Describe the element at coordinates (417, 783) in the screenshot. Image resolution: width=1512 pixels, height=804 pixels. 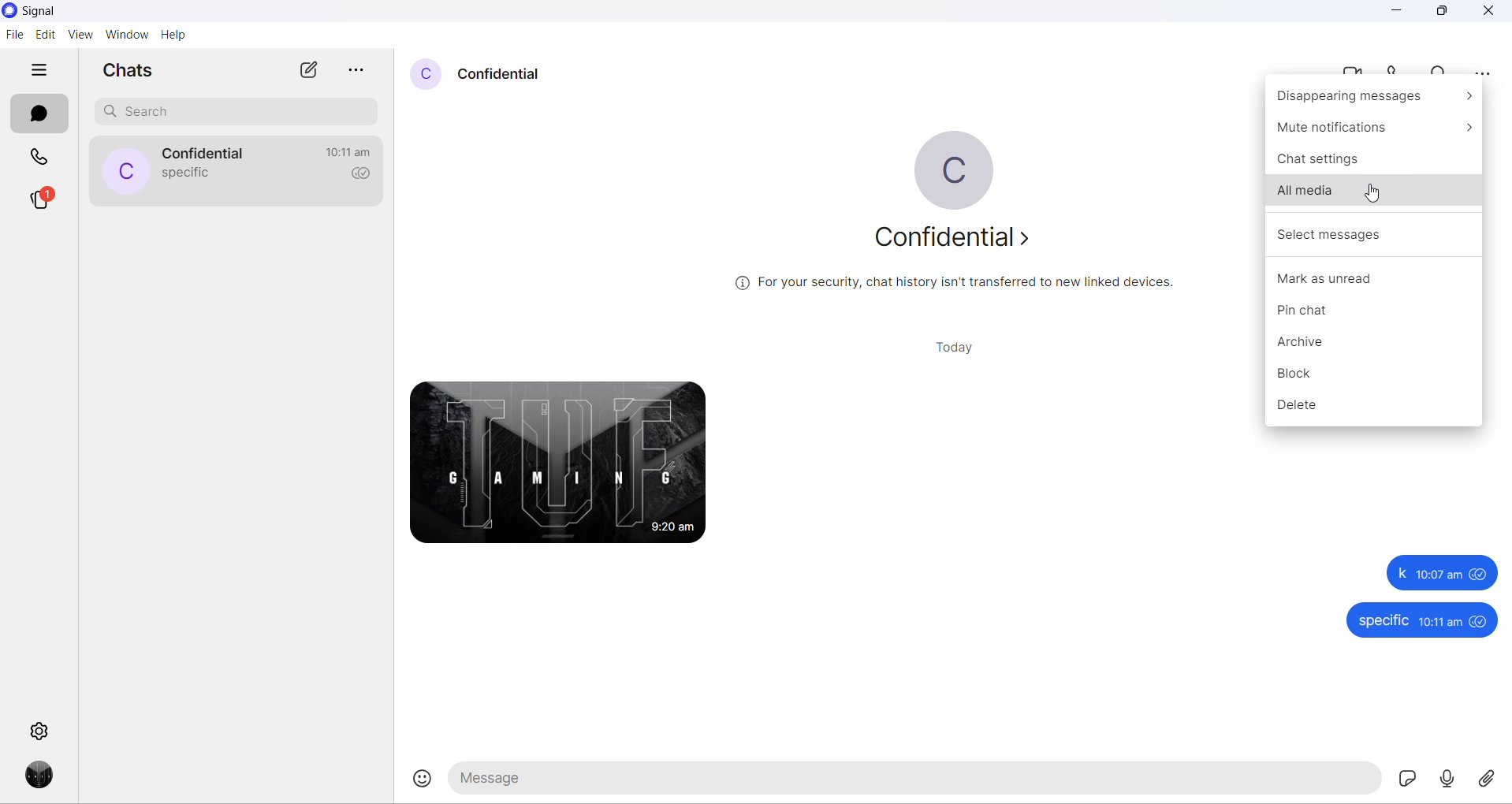
I see `emojis` at that location.